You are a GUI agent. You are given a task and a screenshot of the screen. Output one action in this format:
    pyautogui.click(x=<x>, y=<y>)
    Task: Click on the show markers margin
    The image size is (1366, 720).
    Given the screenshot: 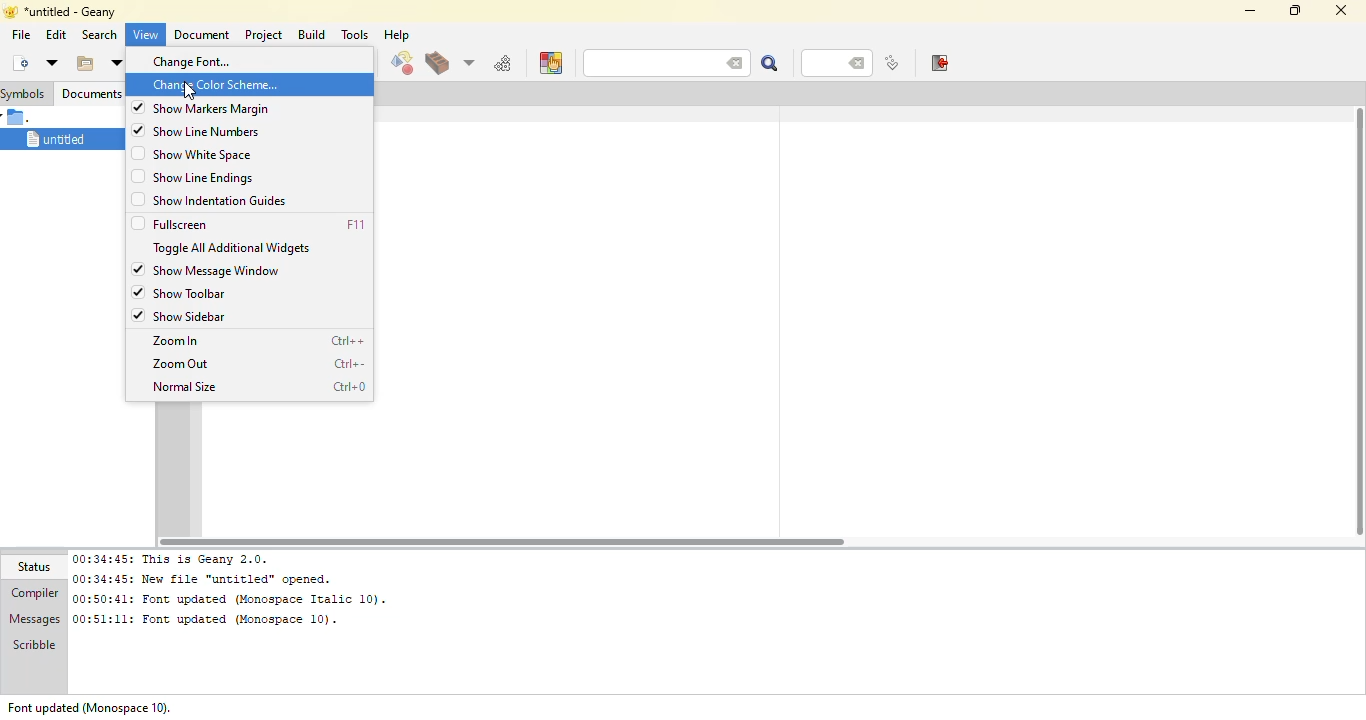 What is the action you would take?
    pyautogui.click(x=212, y=108)
    